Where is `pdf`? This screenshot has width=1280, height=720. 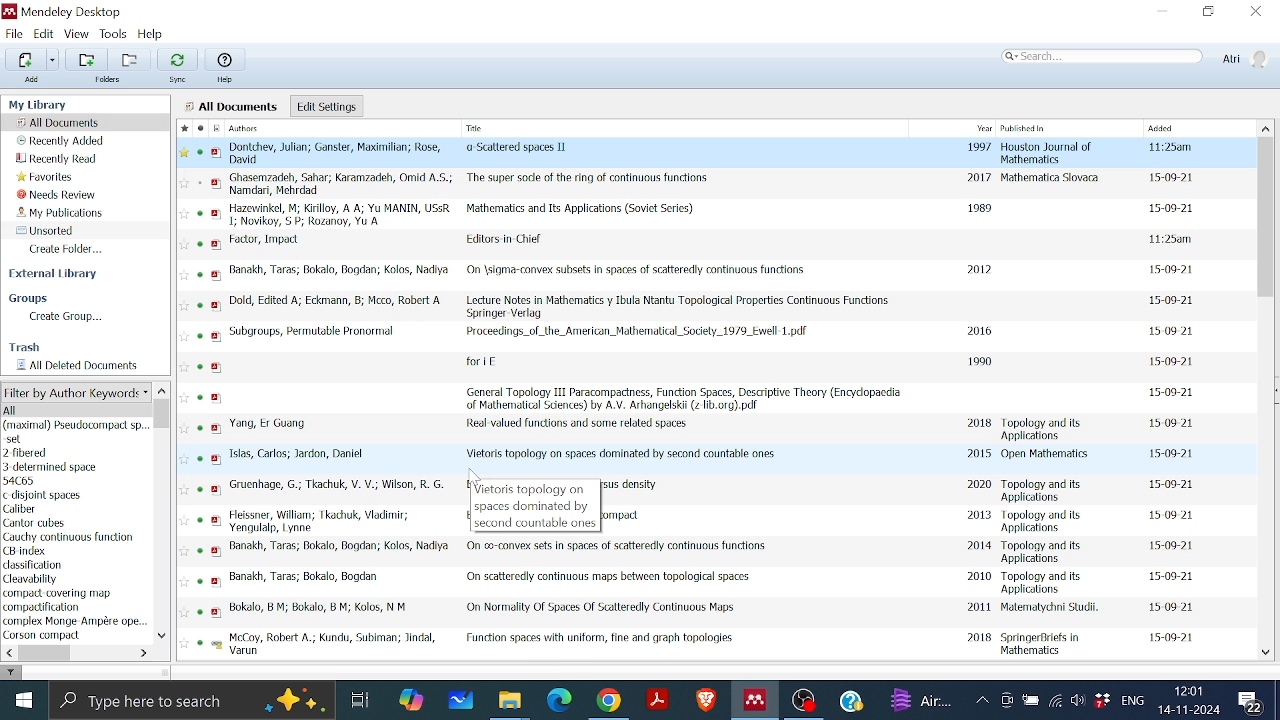
pdf is located at coordinates (215, 247).